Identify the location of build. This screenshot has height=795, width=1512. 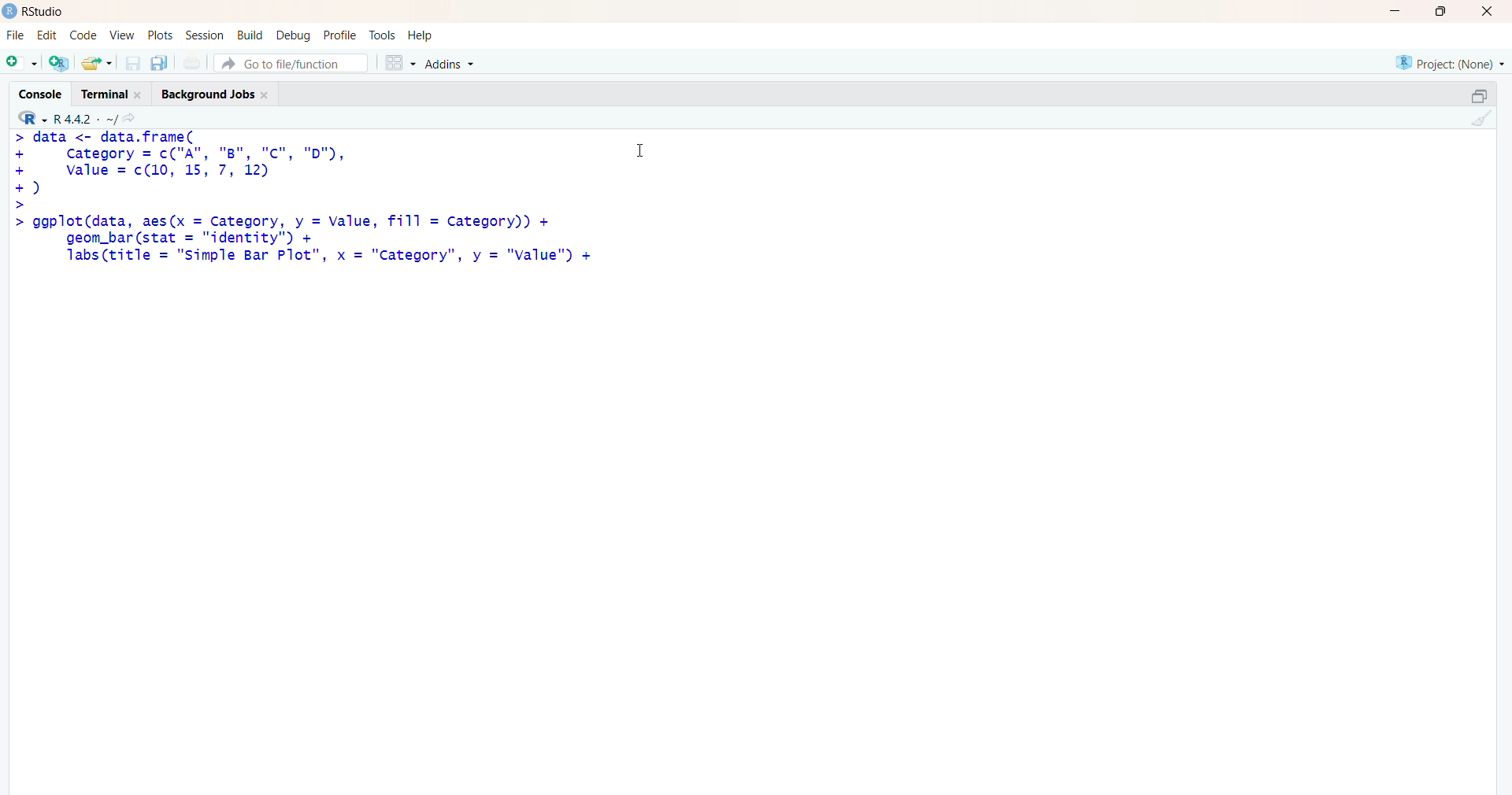
(249, 35).